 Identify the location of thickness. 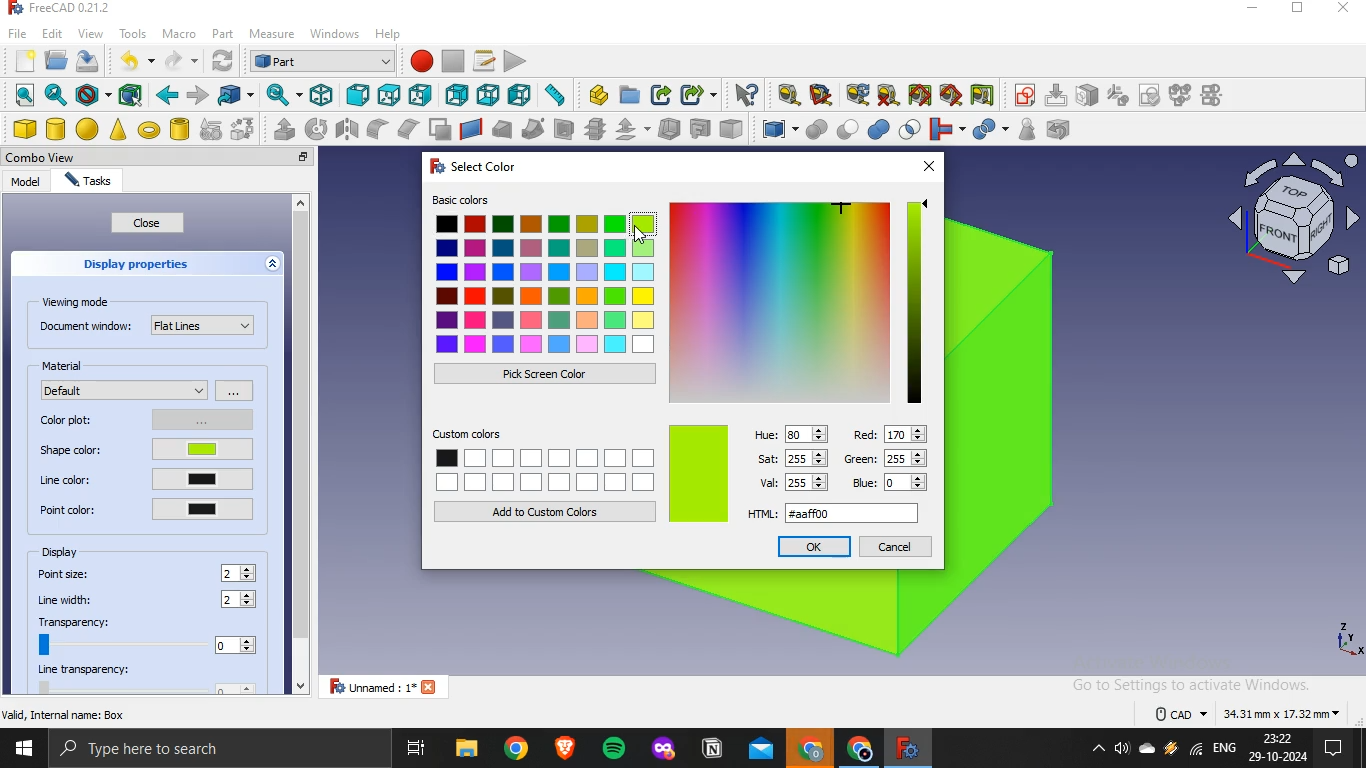
(670, 127).